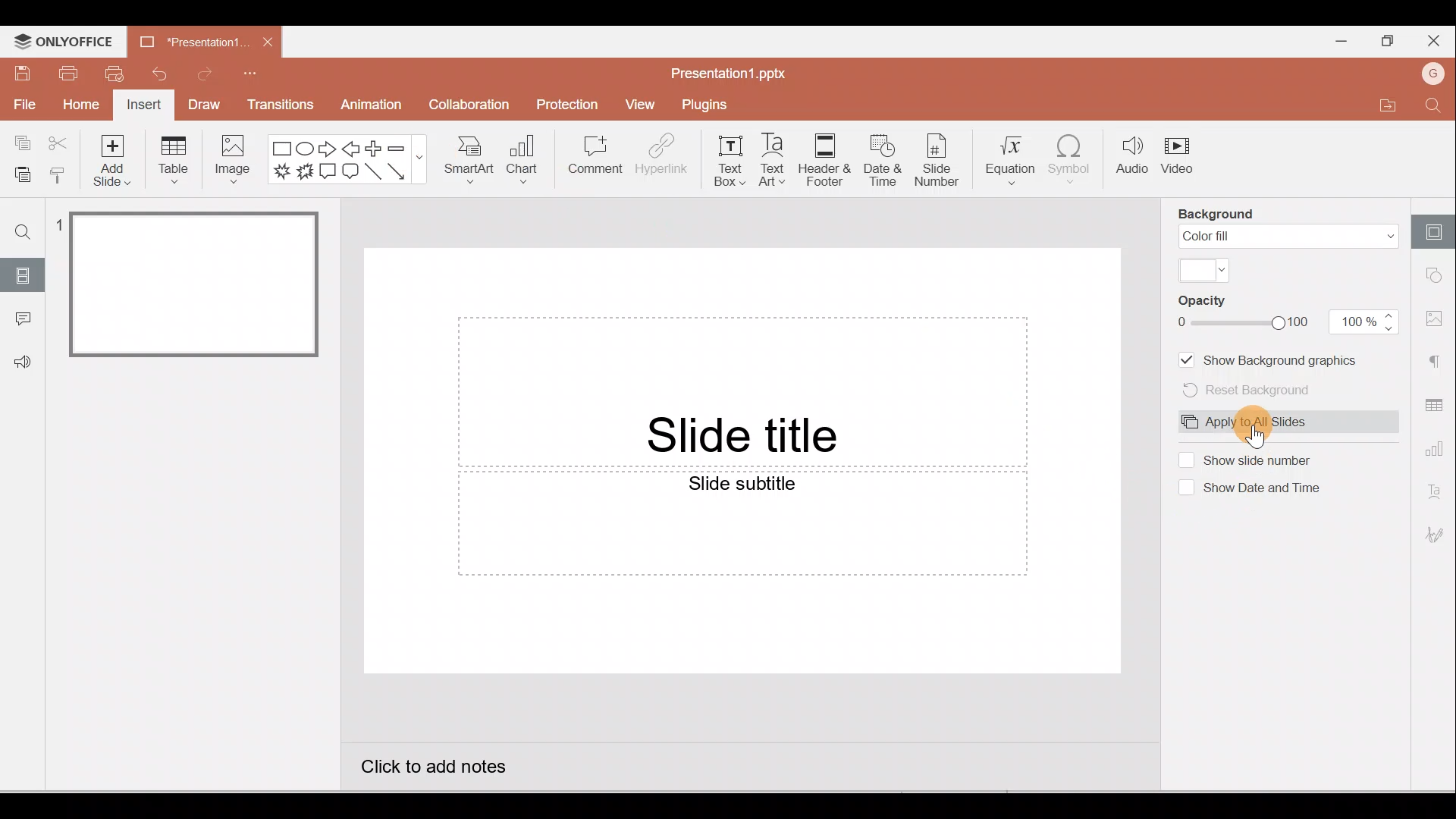 The height and width of the screenshot is (819, 1456). I want to click on Ellipse, so click(306, 147).